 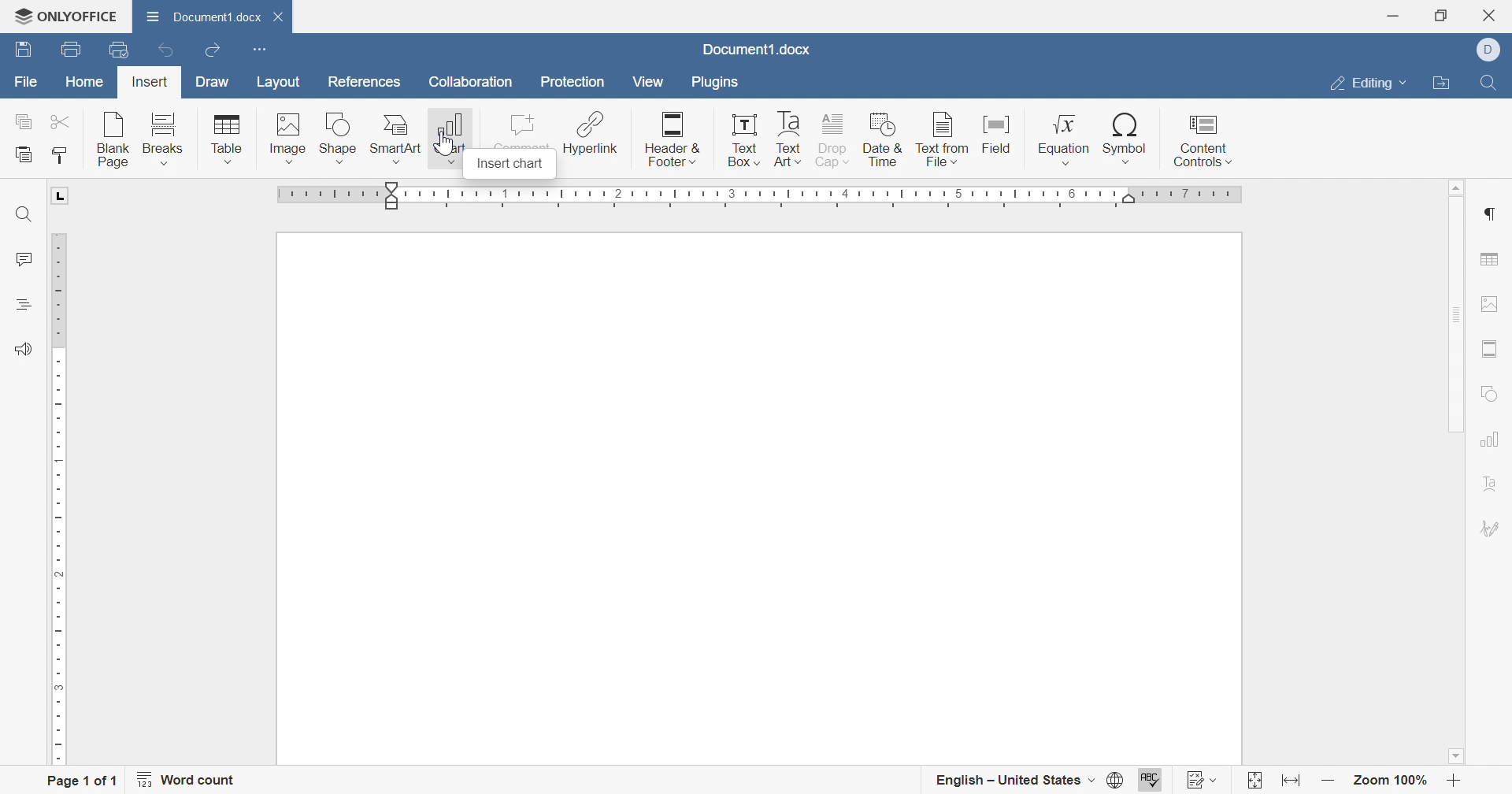 I want to click on Copy, so click(x=22, y=121).